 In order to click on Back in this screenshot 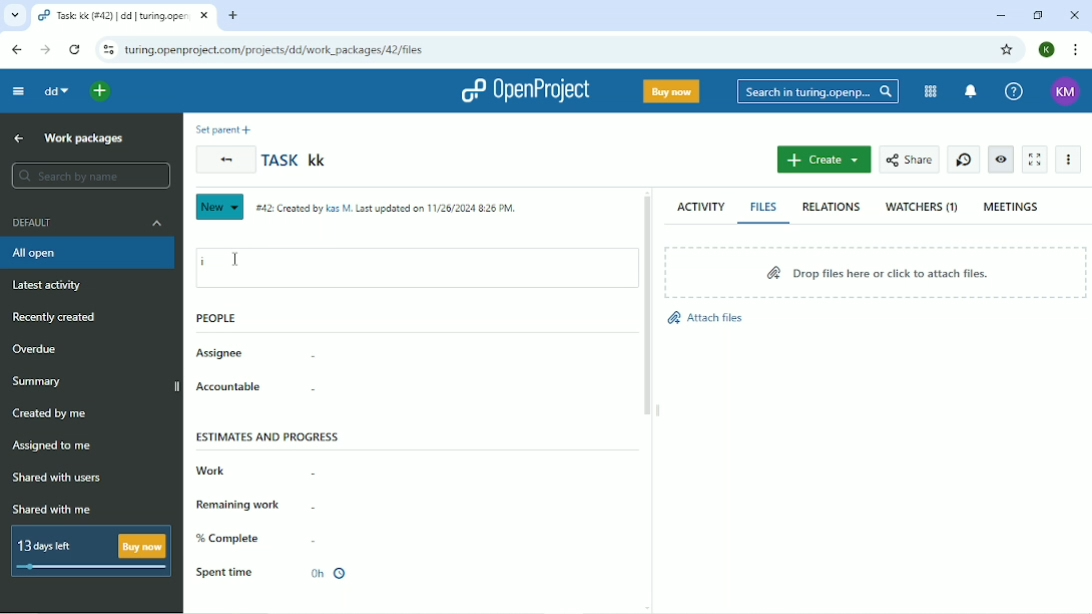, I will do `click(225, 159)`.